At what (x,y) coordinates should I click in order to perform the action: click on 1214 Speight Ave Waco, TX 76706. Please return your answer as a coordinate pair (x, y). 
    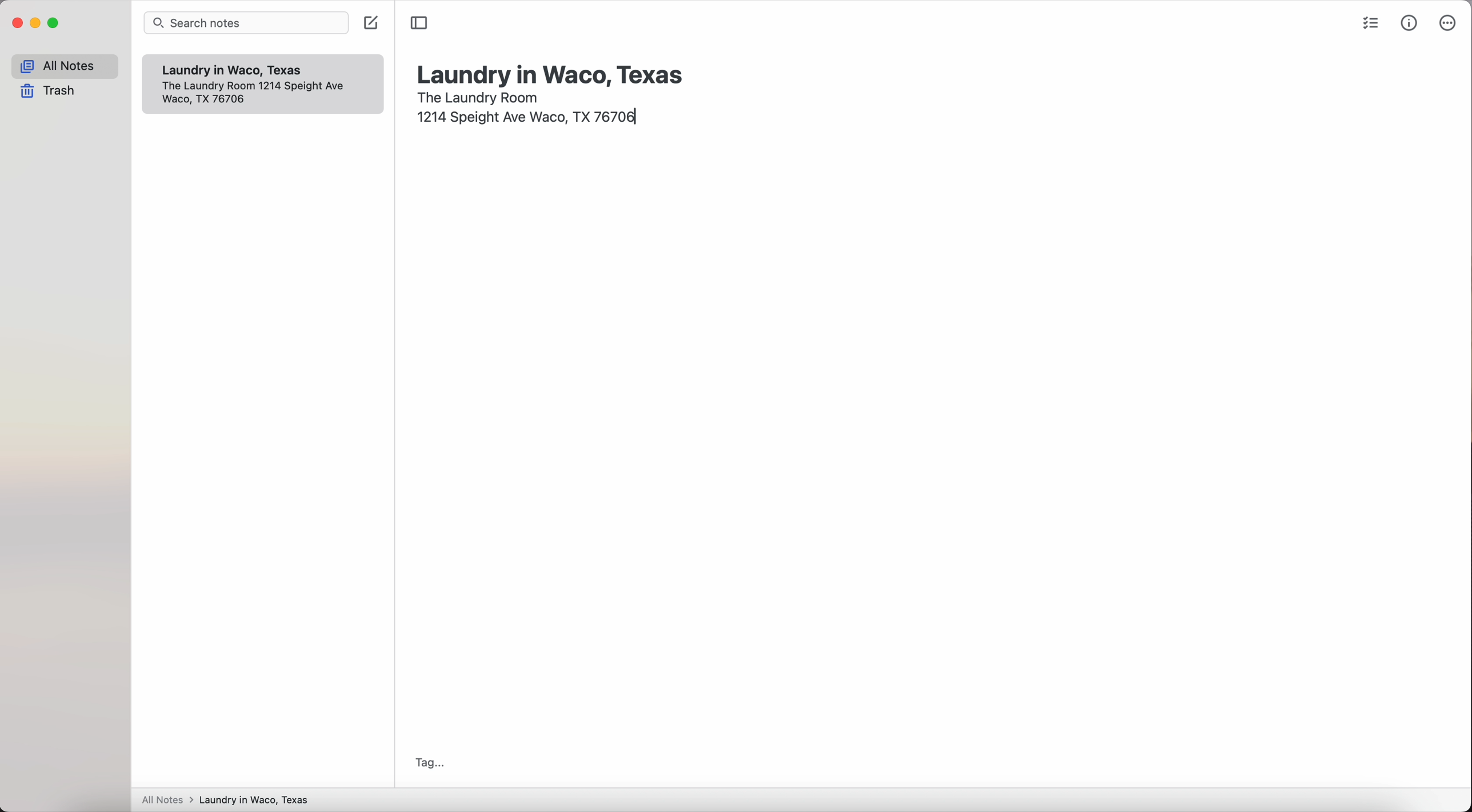
    Looking at the image, I should click on (530, 117).